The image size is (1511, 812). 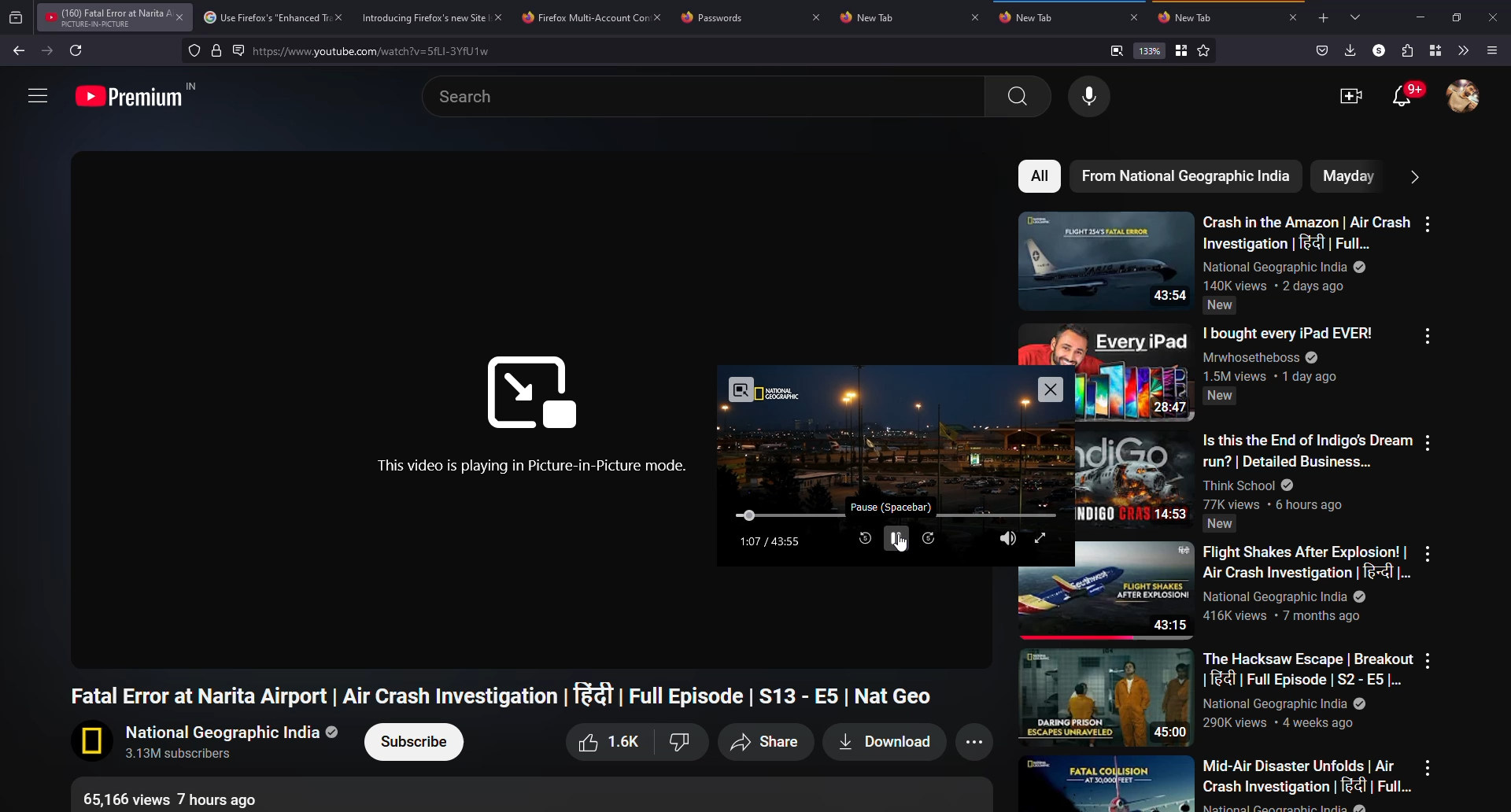 I want to click on close, so click(x=1132, y=17).